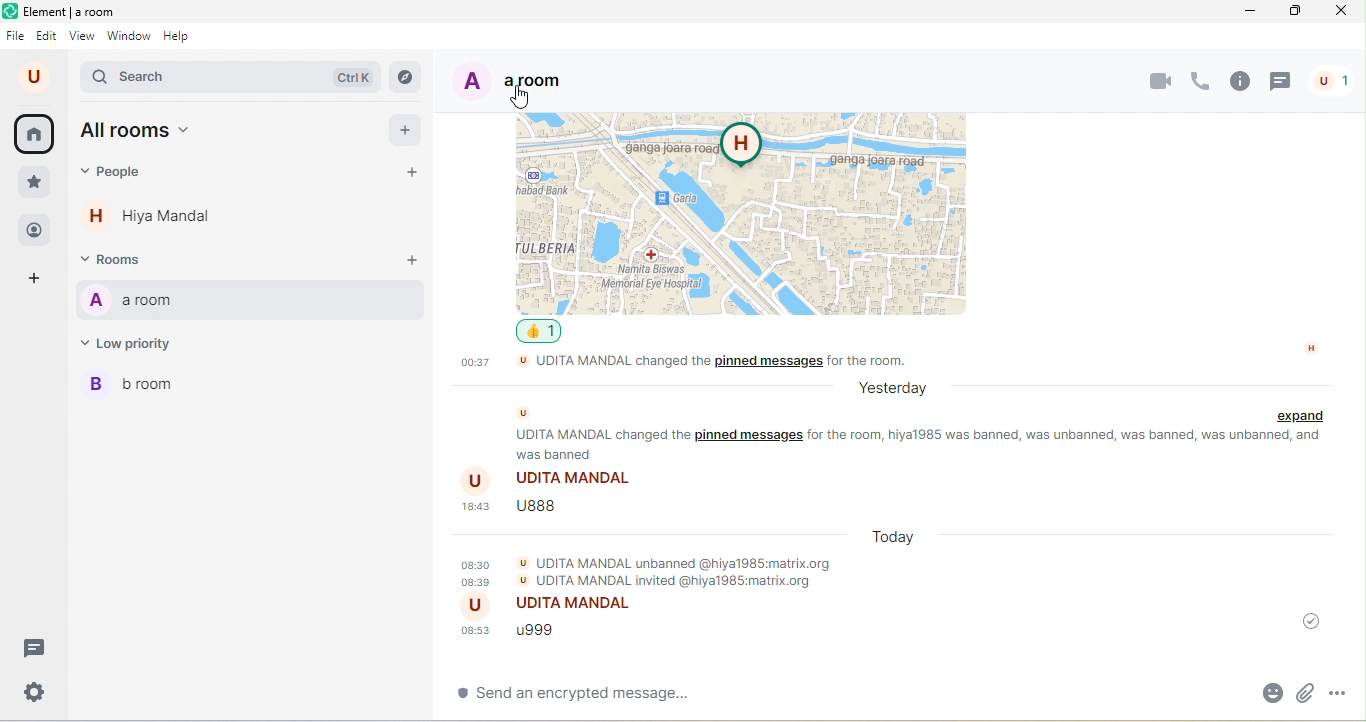 The width and height of the screenshot is (1366, 722). What do you see at coordinates (30, 692) in the screenshot?
I see `quick settings` at bounding box center [30, 692].